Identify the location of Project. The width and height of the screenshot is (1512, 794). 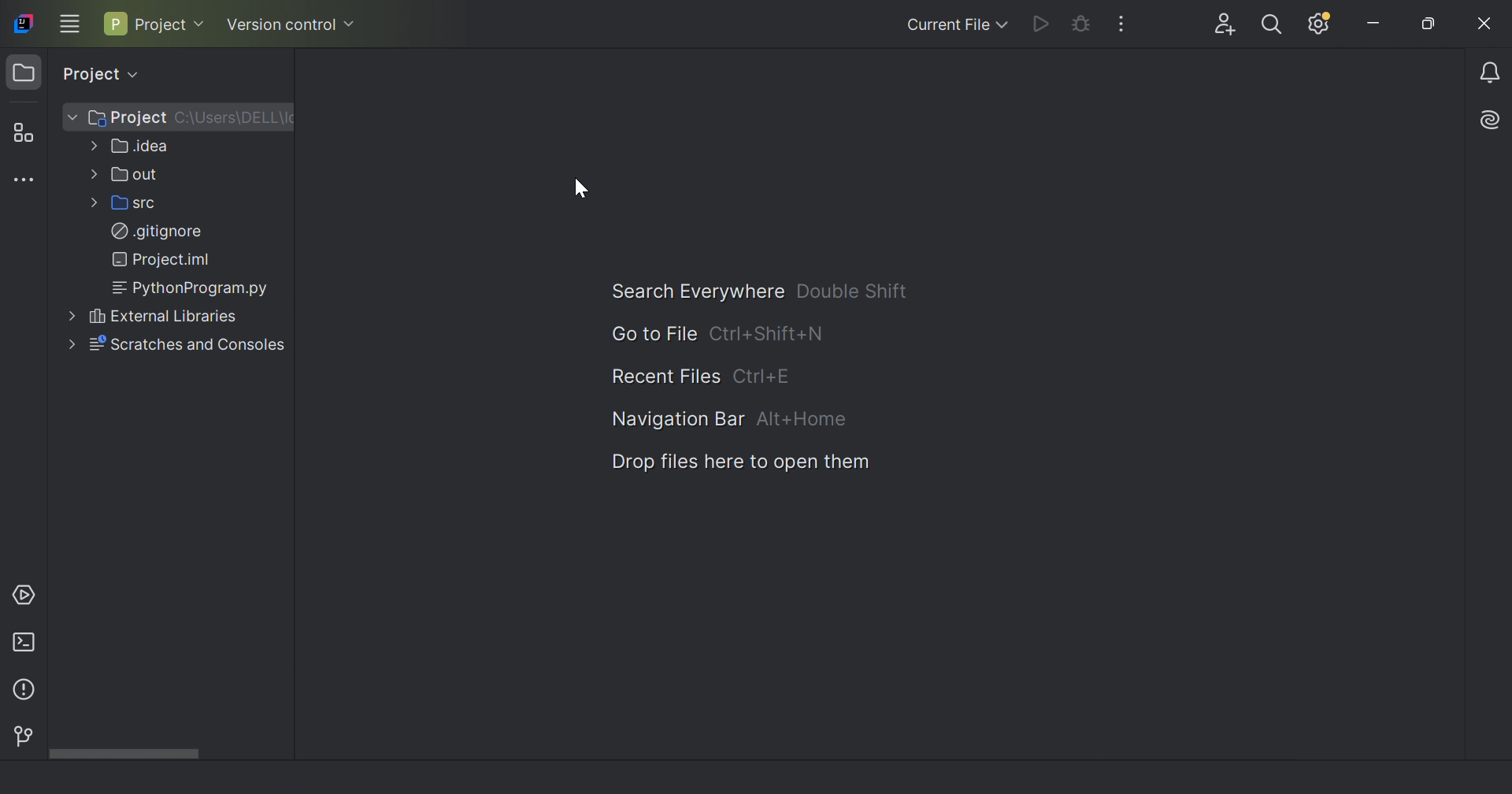
(98, 71).